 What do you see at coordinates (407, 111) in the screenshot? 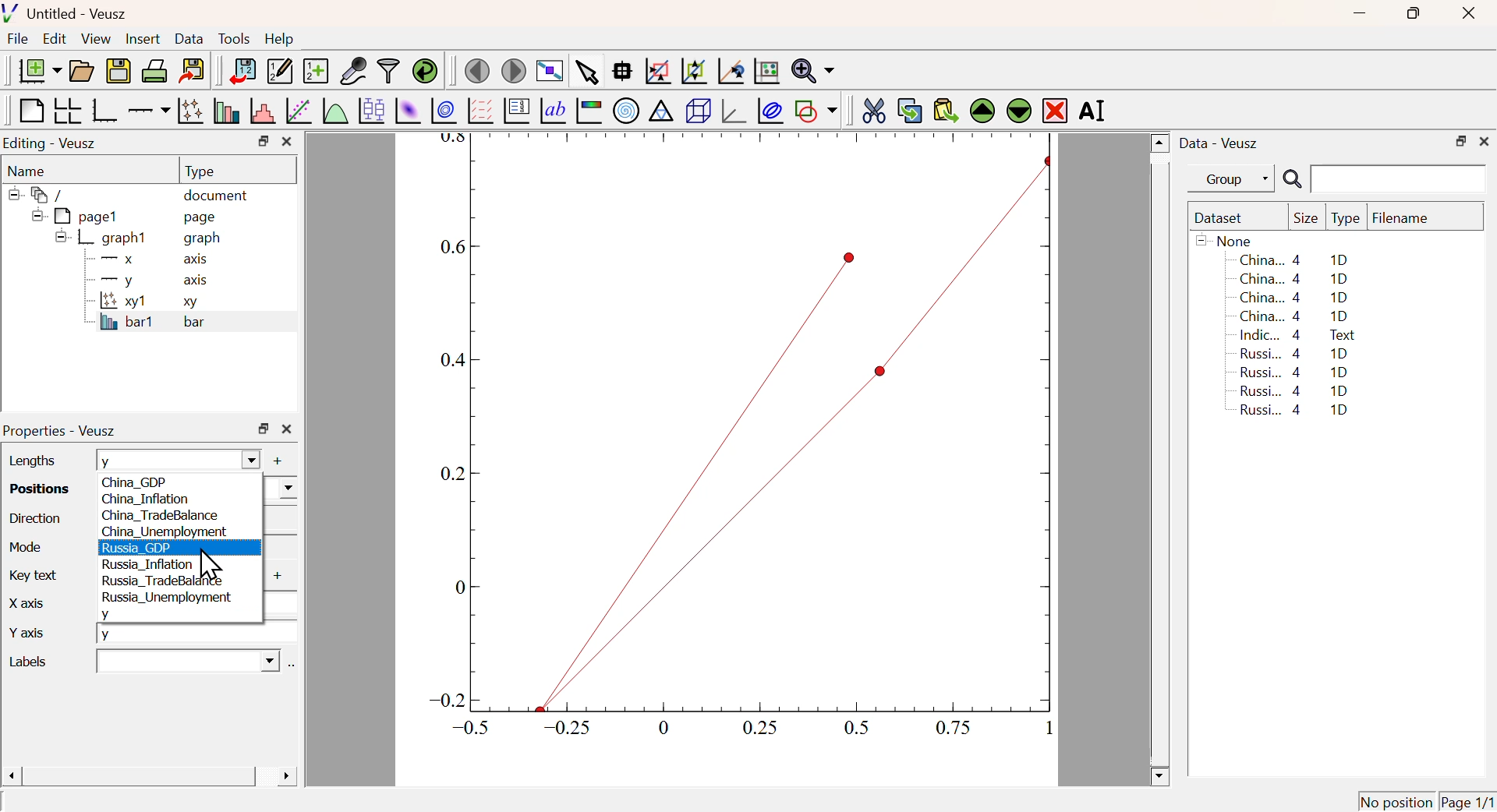
I see `Plot 2D set as image` at bounding box center [407, 111].